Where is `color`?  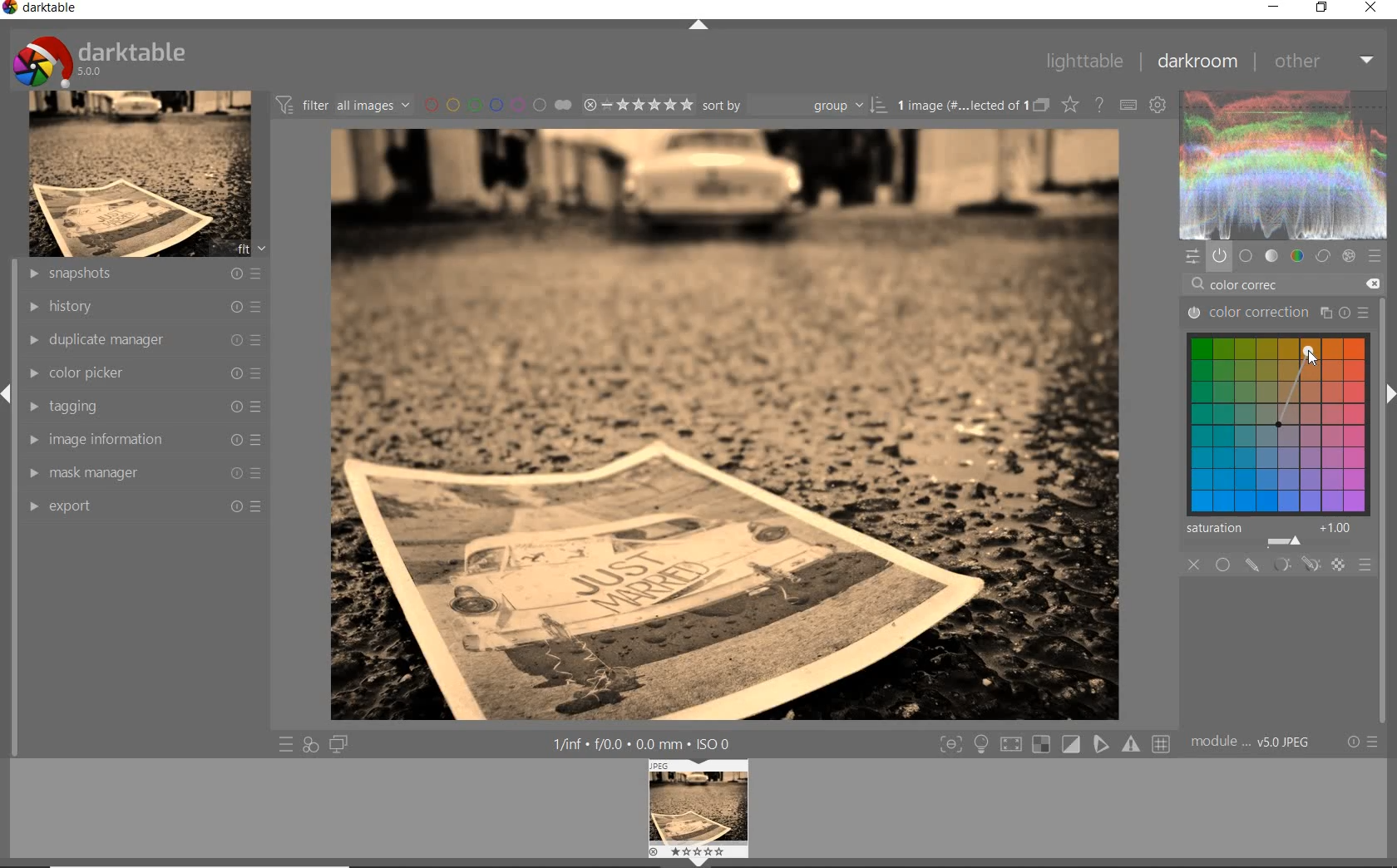
color is located at coordinates (1296, 257).